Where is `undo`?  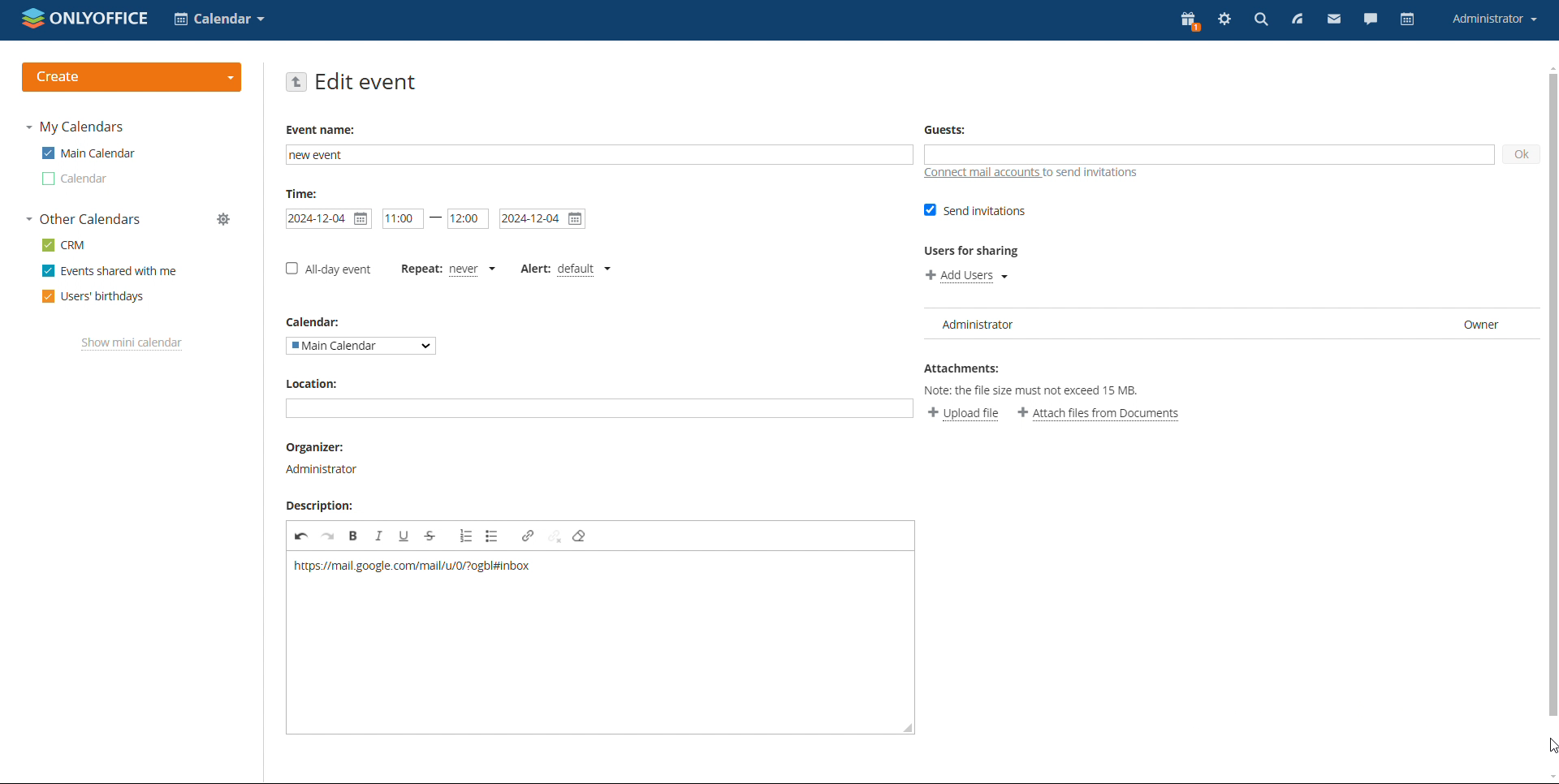 undo is located at coordinates (301, 536).